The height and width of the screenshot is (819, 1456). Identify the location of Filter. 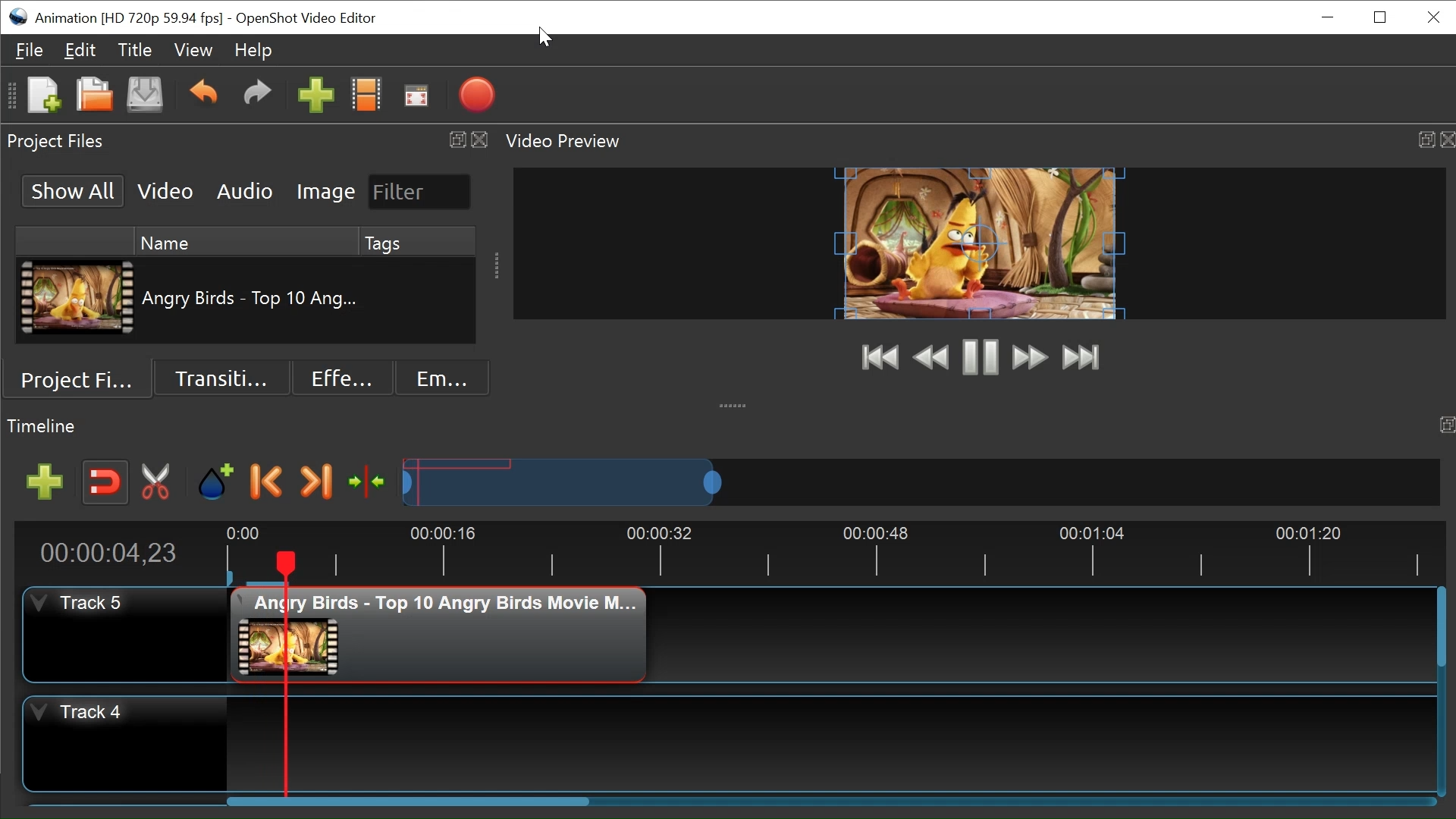
(420, 192).